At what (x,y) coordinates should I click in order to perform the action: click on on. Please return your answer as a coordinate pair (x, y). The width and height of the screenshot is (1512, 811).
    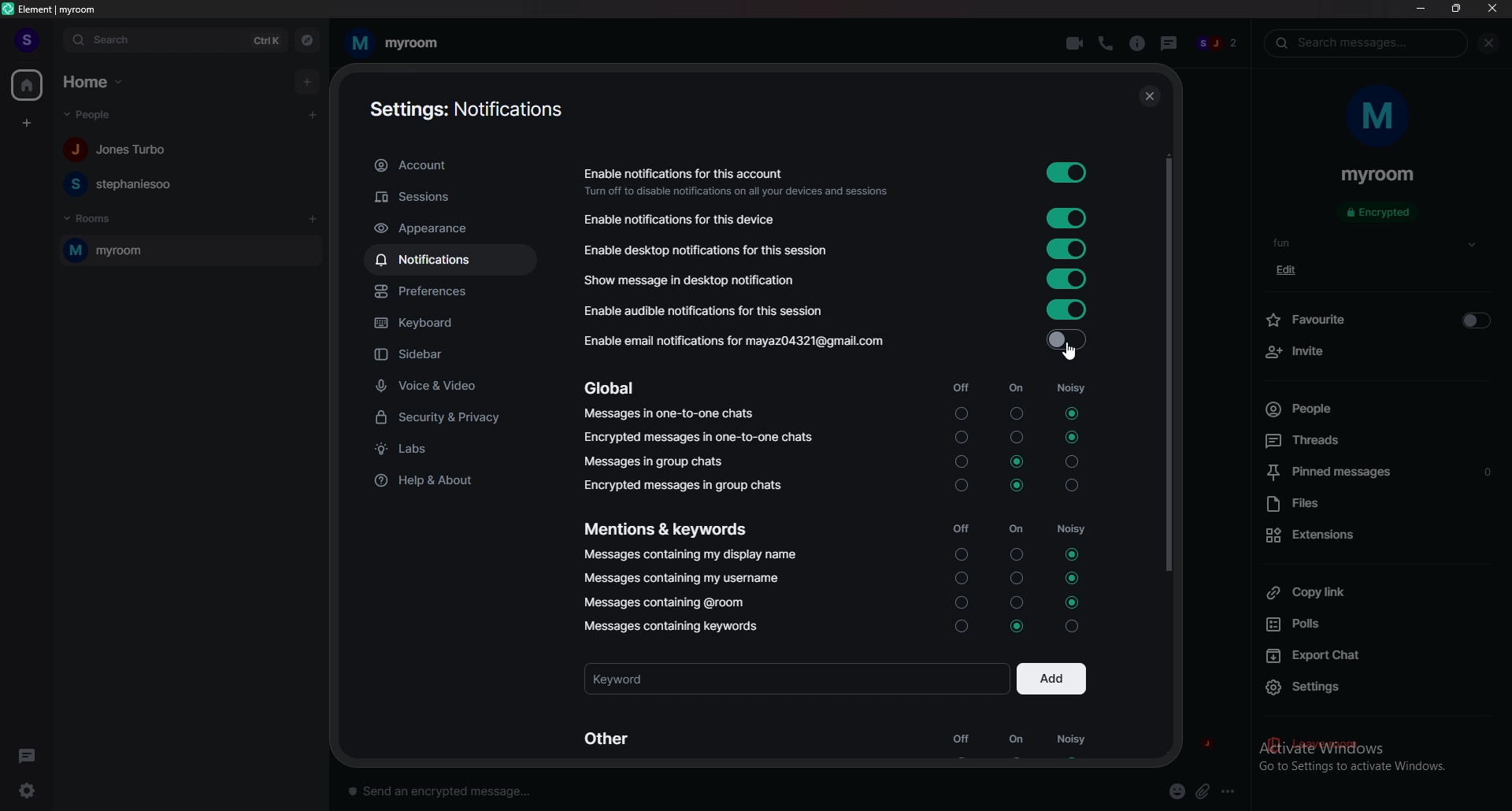
    Looking at the image, I should click on (1016, 506).